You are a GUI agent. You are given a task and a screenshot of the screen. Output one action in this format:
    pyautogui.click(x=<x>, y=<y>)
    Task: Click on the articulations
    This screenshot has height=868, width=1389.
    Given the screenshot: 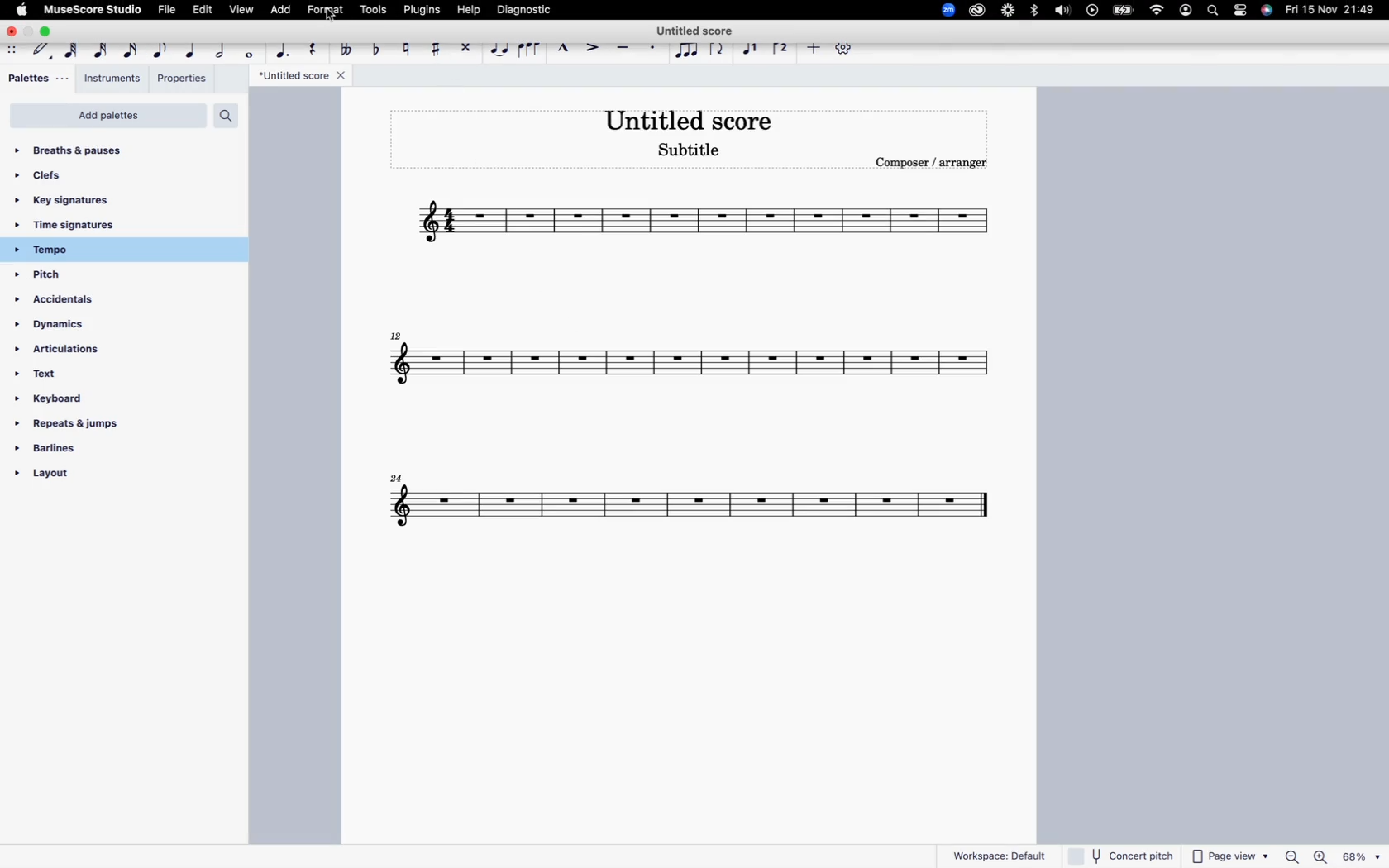 What is the action you would take?
    pyautogui.click(x=68, y=353)
    